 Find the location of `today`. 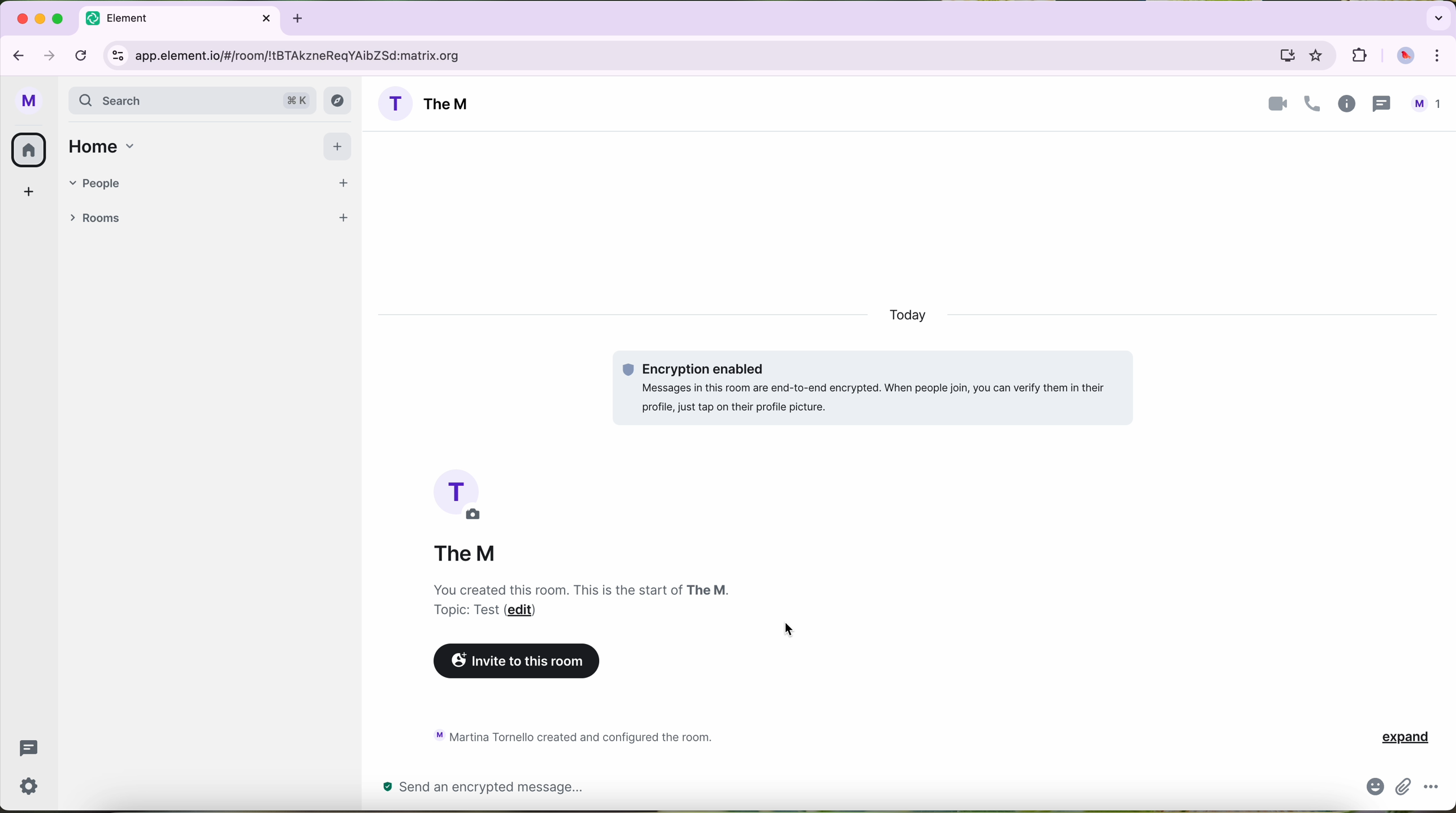

today is located at coordinates (907, 313).